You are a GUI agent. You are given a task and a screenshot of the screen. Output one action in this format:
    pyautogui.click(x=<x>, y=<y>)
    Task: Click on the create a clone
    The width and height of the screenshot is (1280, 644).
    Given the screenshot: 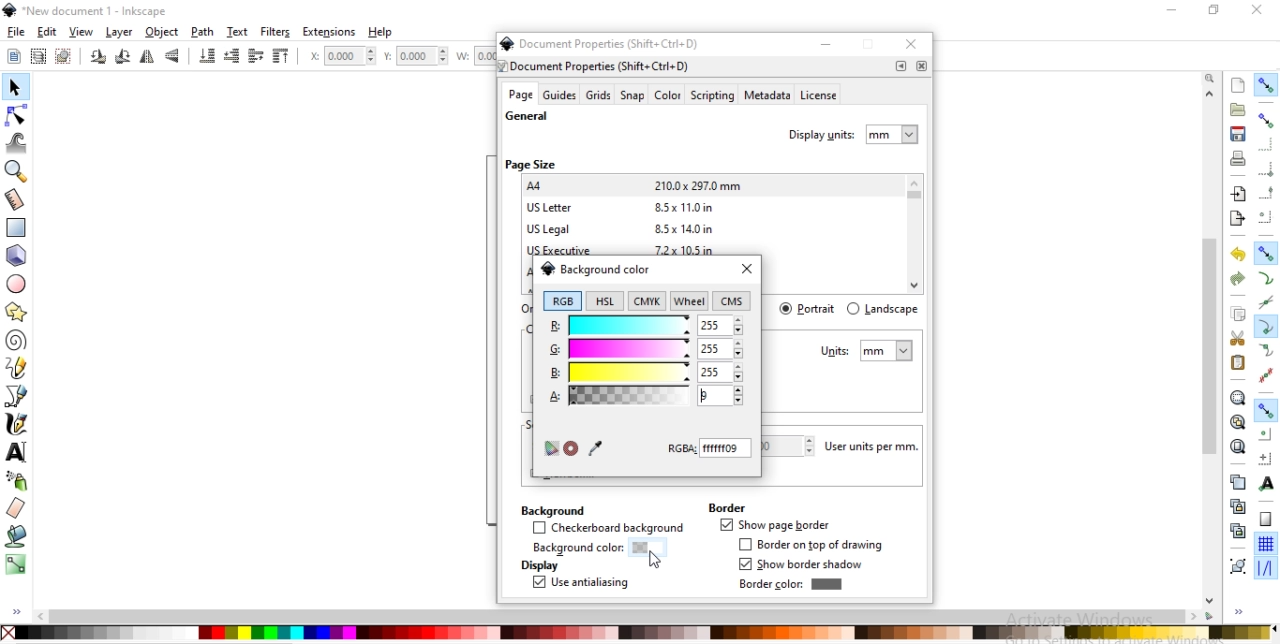 What is the action you would take?
    pyautogui.click(x=1236, y=506)
    